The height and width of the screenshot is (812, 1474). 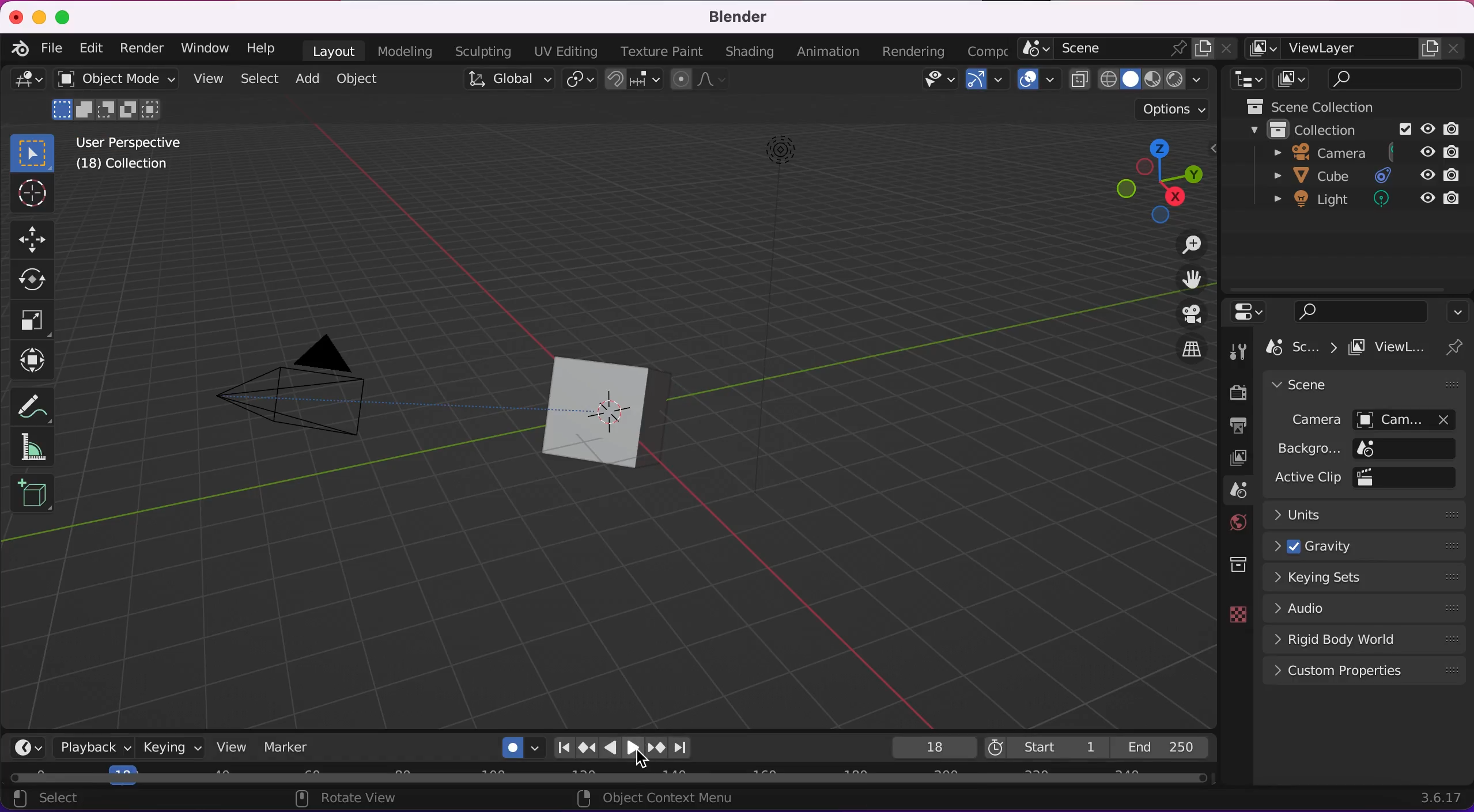 What do you see at coordinates (519, 747) in the screenshot?
I see `auto keying` at bounding box center [519, 747].